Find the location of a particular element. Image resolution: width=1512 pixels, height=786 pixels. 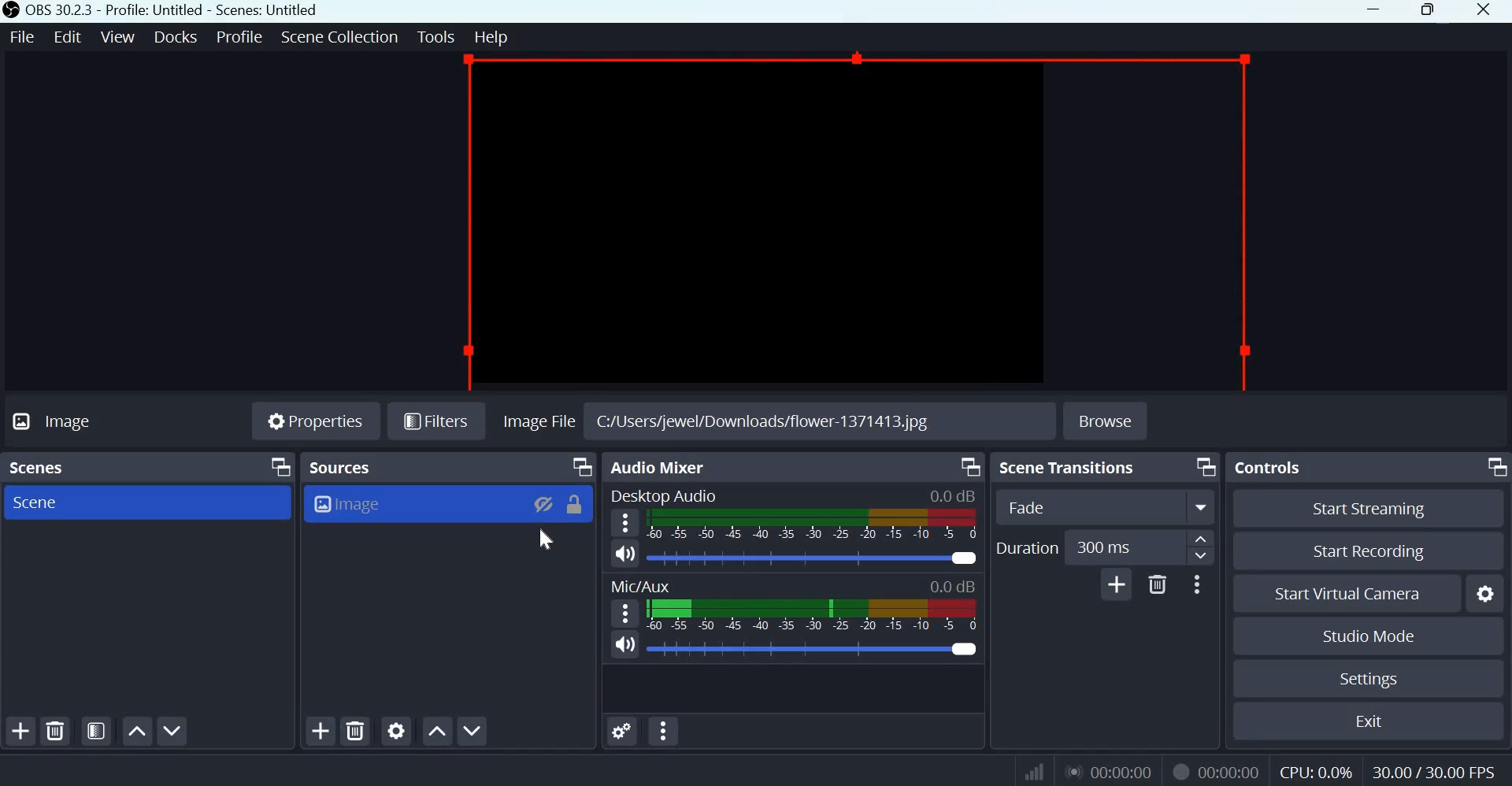

Advances Audio Properties is located at coordinates (622, 731).